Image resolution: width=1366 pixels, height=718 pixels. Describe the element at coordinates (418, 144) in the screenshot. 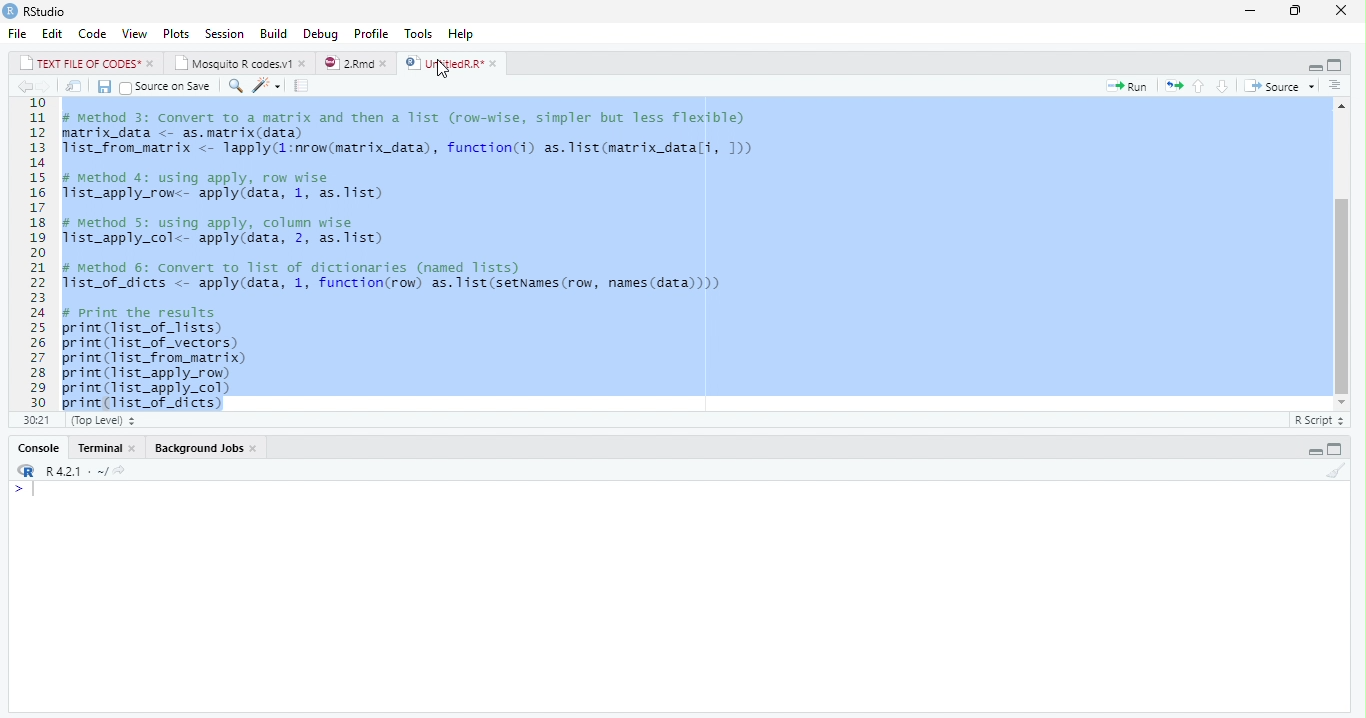

I see `code of matrix data ` at that location.